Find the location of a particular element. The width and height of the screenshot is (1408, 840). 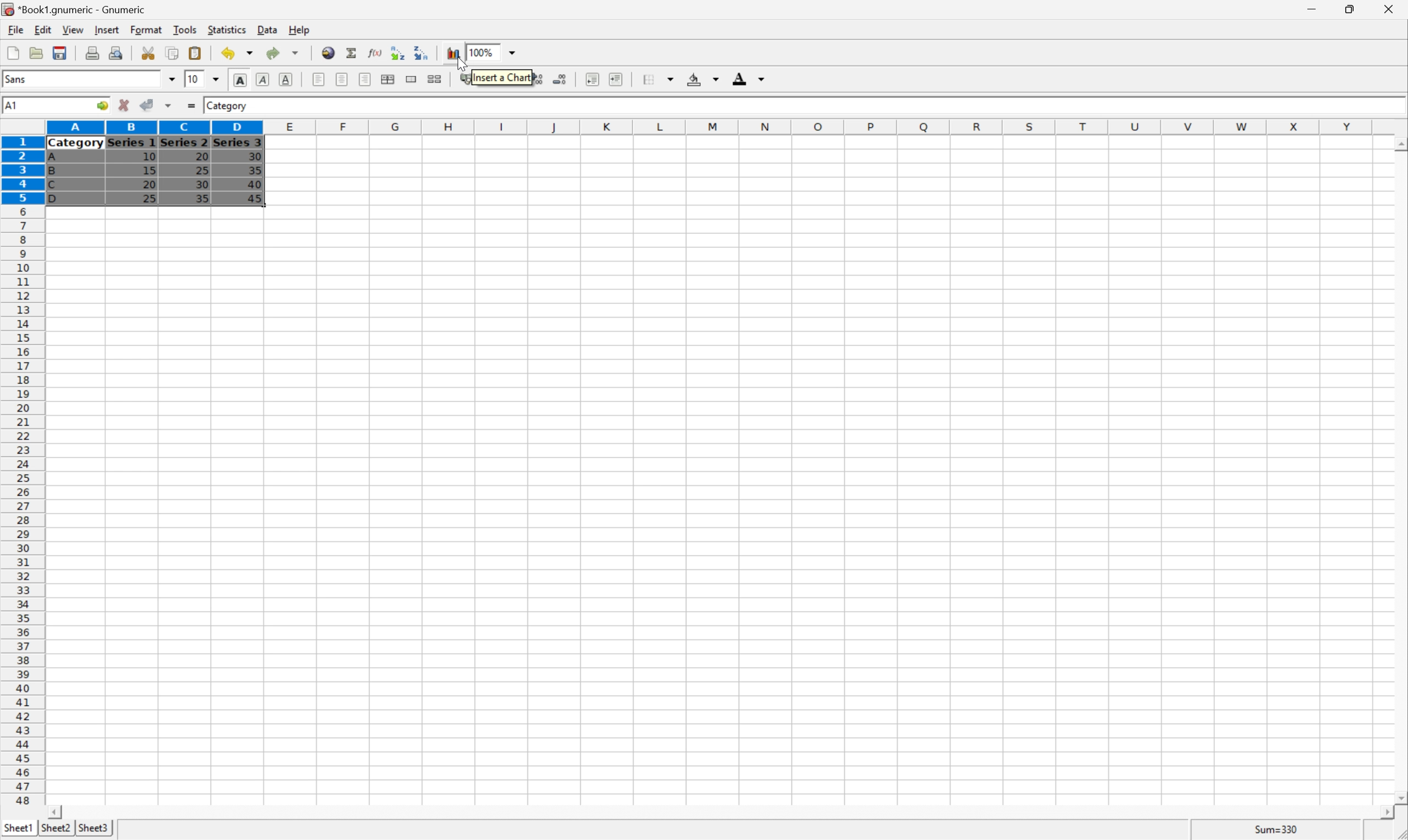

Sheet2 is located at coordinates (55, 828).